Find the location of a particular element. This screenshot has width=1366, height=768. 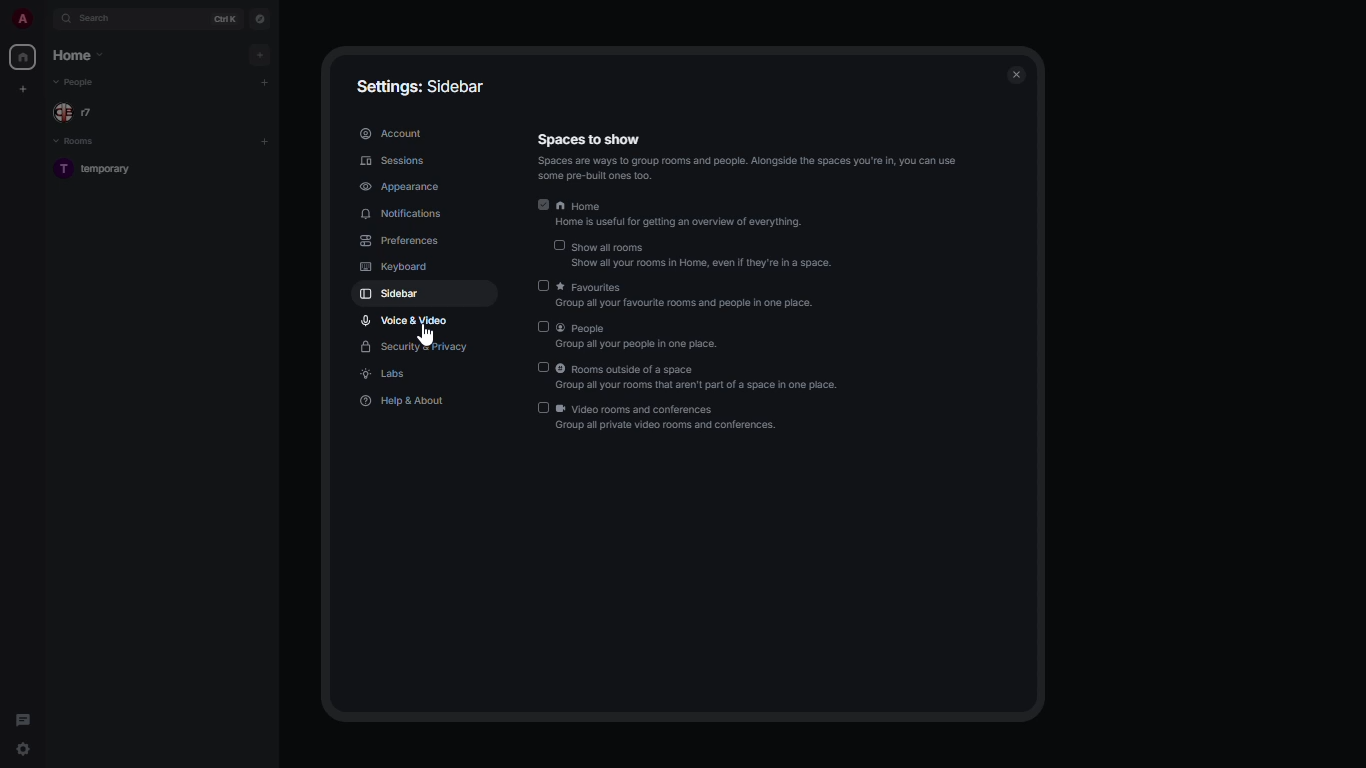

profile is located at coordinates (22, 19).